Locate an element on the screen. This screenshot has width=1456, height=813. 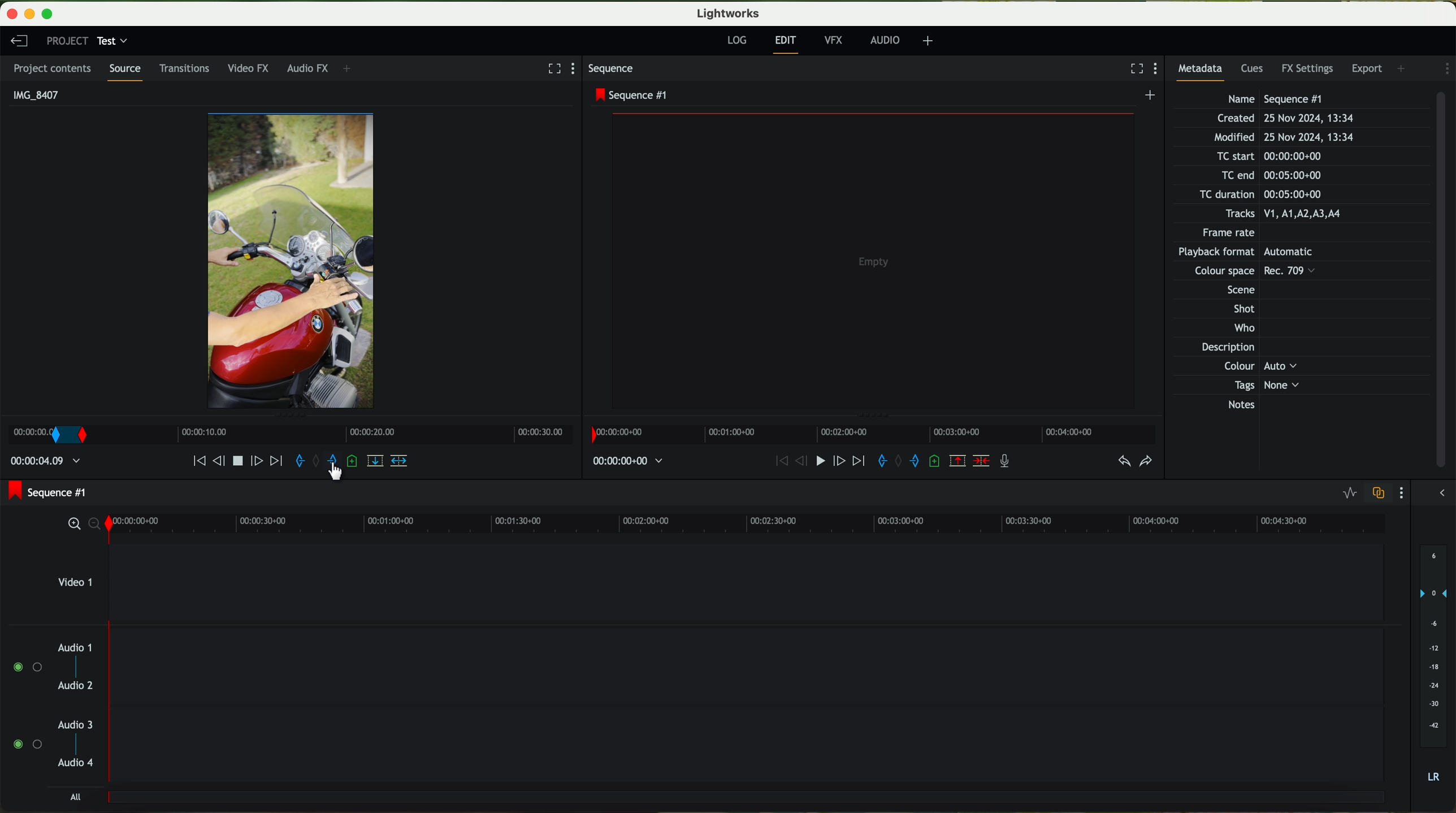
enable audio tracks is located at coordinates (25, 706).